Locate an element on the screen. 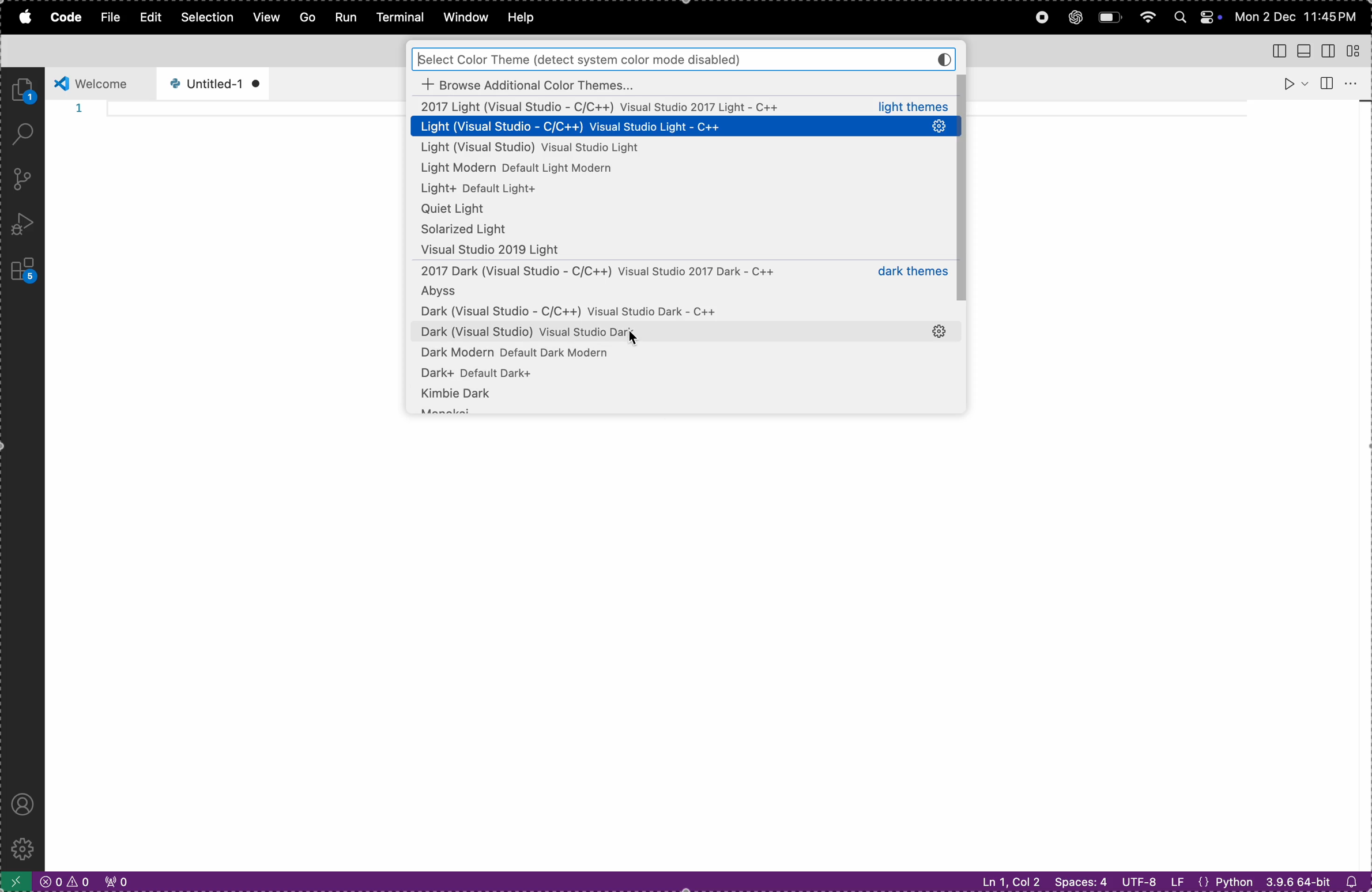 The height and width of the screenshot is (892, 1372). quiet Light is located at coordinates (681, 211).